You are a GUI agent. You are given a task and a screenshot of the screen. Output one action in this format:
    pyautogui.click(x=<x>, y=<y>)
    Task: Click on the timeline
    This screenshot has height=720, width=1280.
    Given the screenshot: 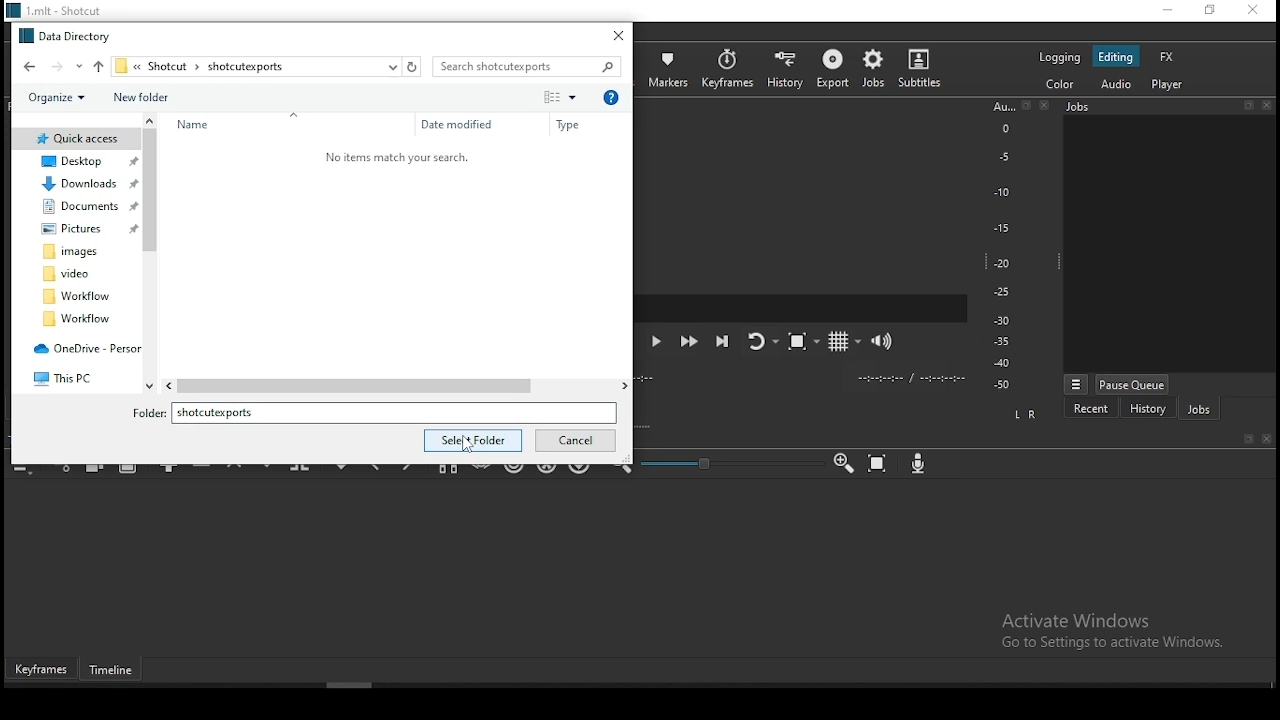 What is the action you would take?
    pyautogui.click(x=116, y=672)
    